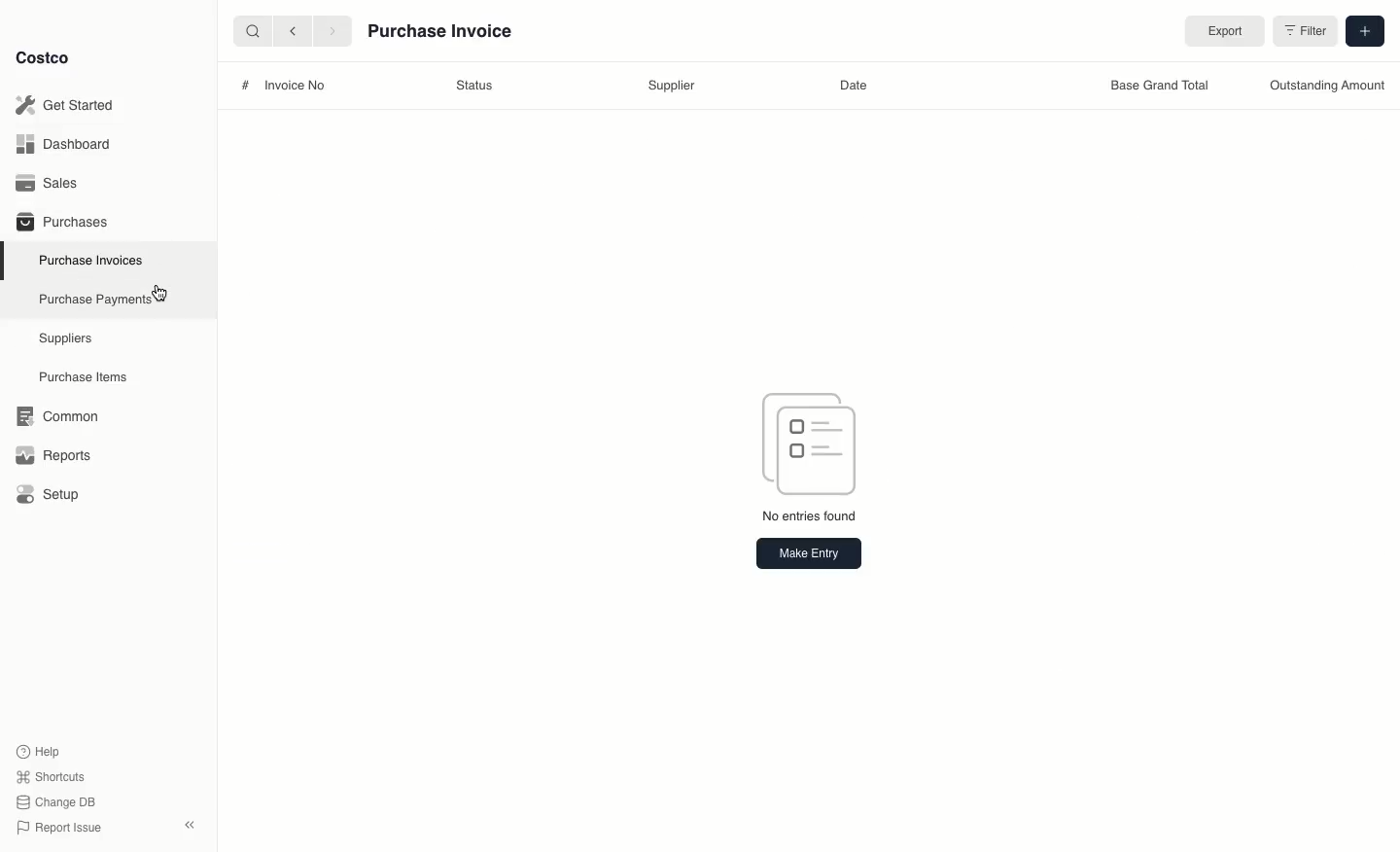 The image size is (1400, 852). What do you see at coordinates (61, 221) in the screenshot?
I see `Purchases` at bounding box center [61, 221].